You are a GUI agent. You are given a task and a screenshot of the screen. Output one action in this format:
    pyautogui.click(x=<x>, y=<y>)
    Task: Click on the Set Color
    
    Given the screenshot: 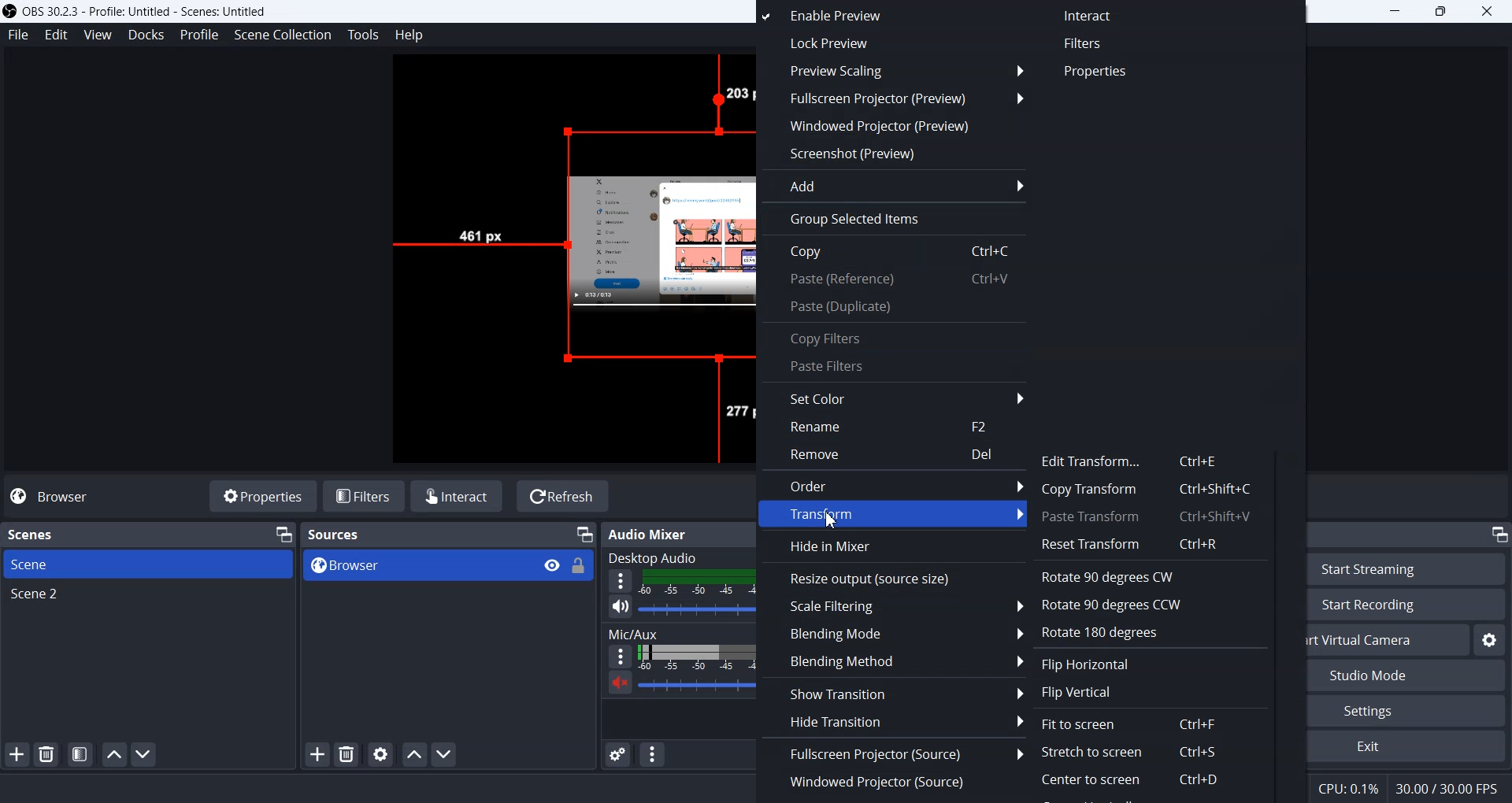 What is the action you would take?
    pyautogui.click(x=893, y=398)
    